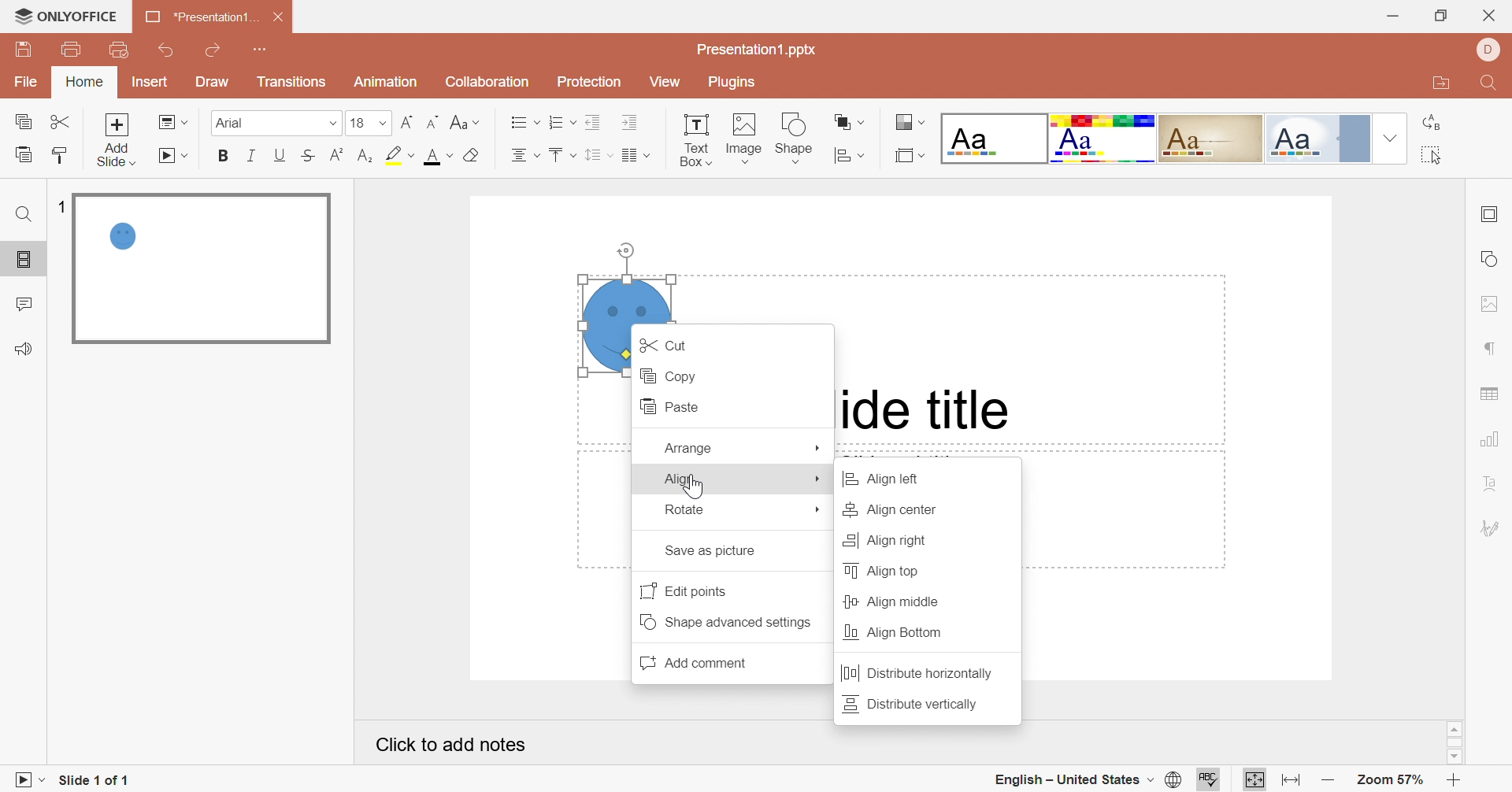  I want to click on table settings, so click(1496, 393).